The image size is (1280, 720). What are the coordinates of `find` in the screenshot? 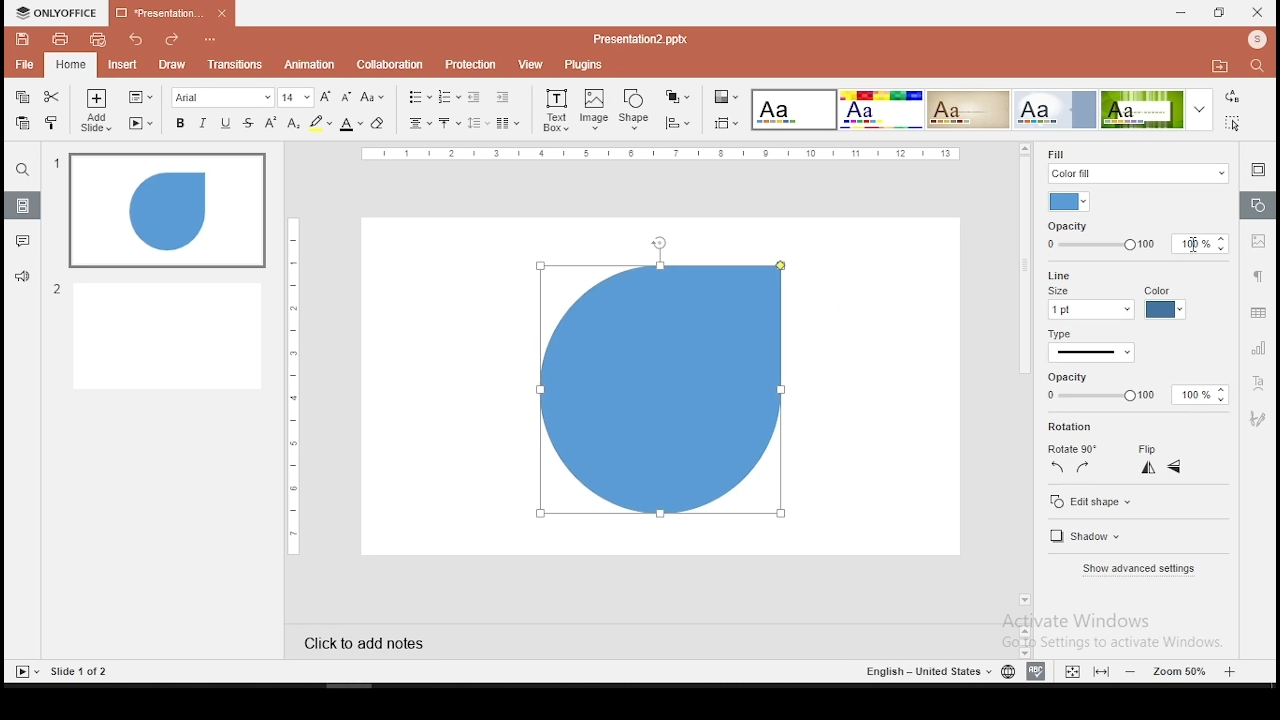 It's located at (1257, 65).